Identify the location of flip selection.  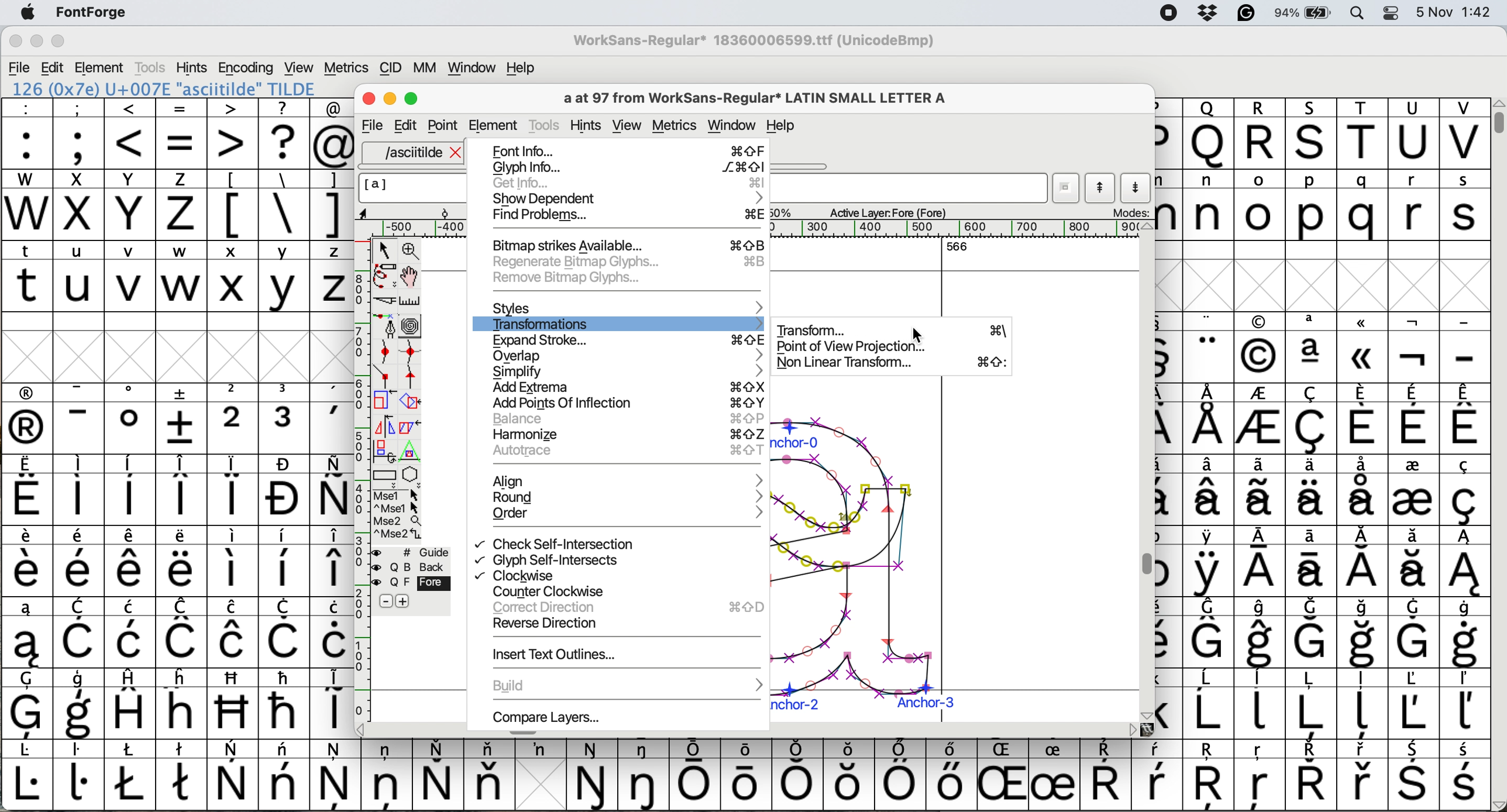
(384, 425).